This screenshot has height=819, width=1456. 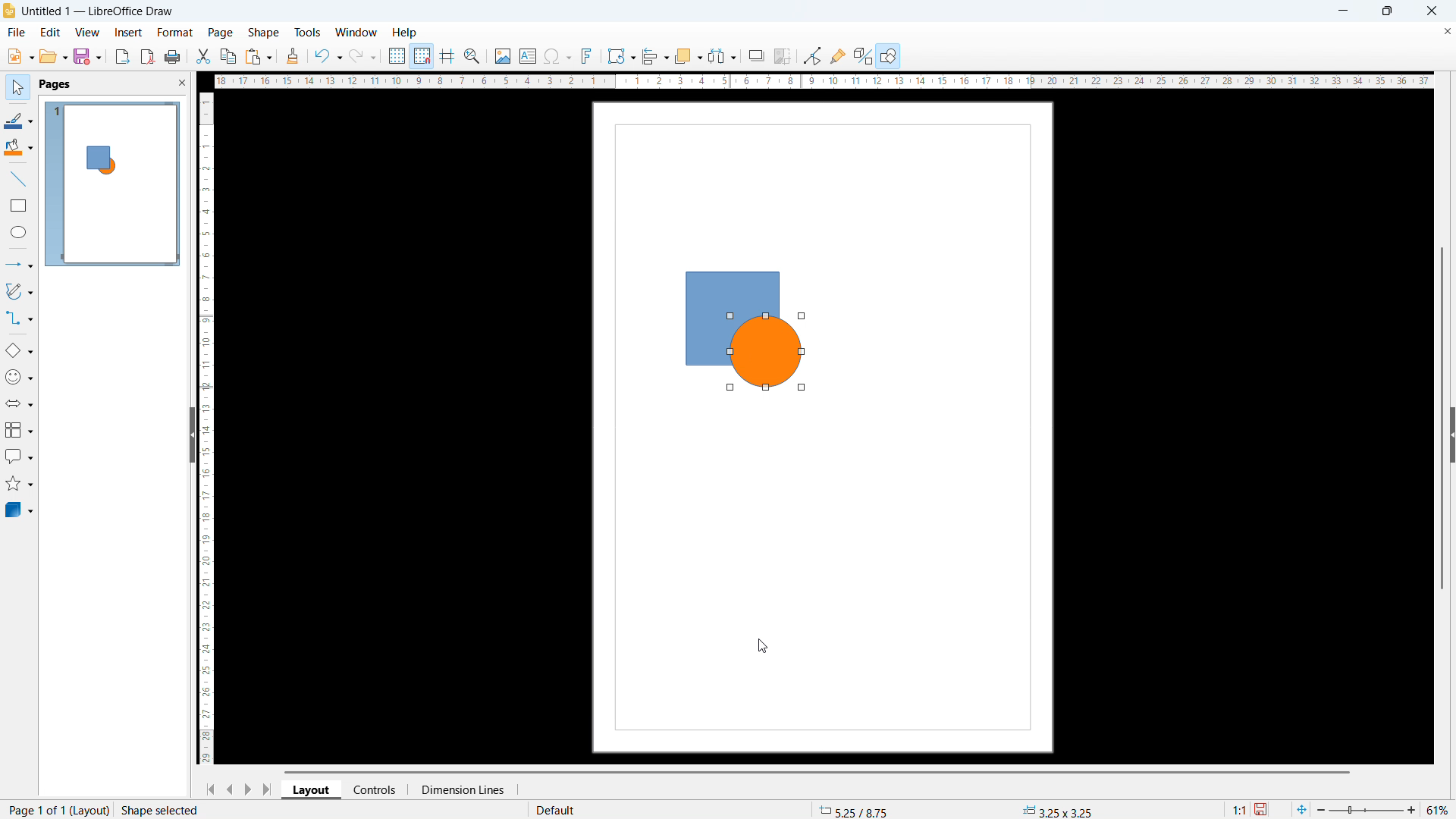 I want to click on horizontal scrollbar, so click(x=821, y=83).